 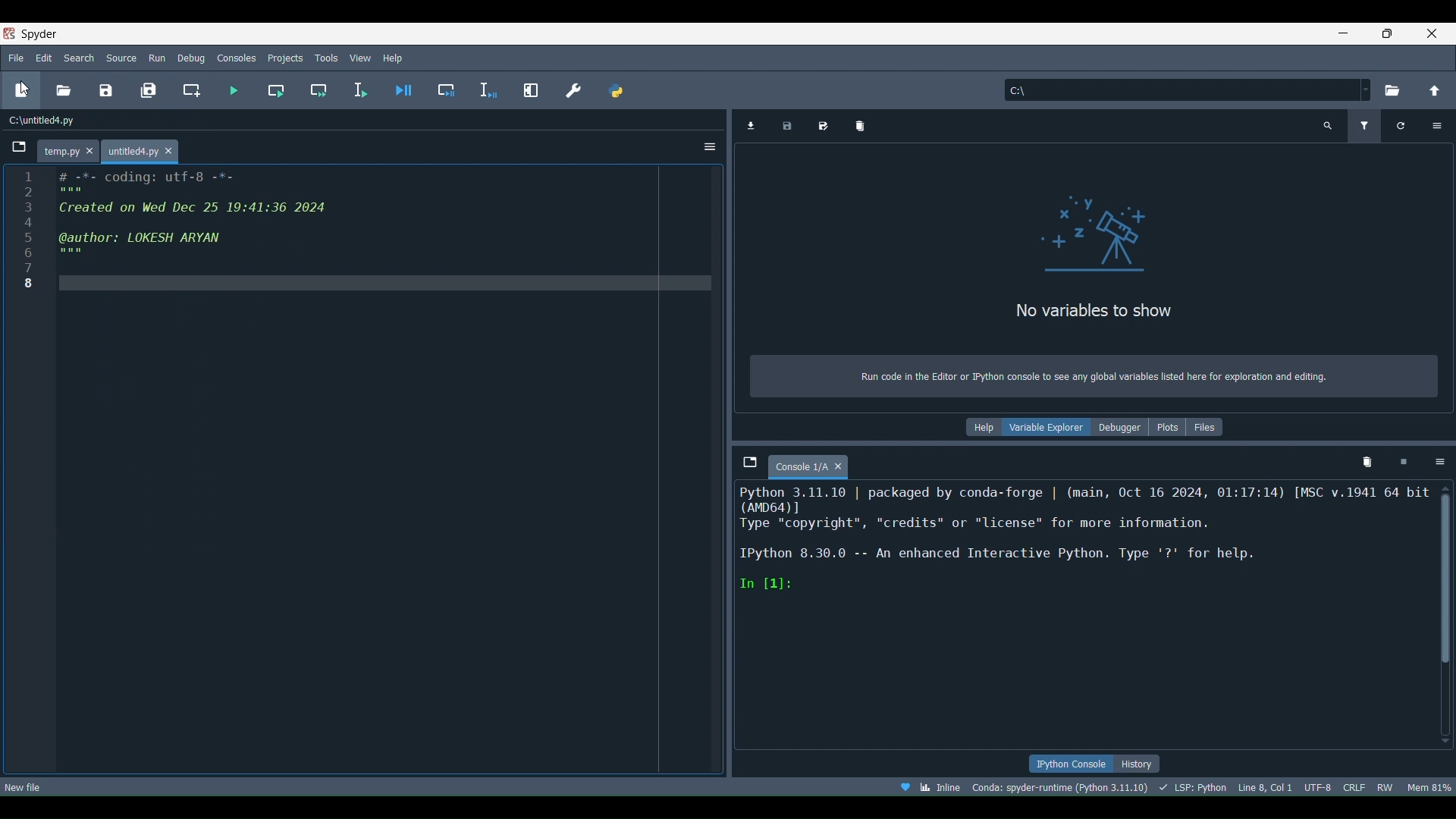 I want to click on Preferences, so click(x=570, y=89).